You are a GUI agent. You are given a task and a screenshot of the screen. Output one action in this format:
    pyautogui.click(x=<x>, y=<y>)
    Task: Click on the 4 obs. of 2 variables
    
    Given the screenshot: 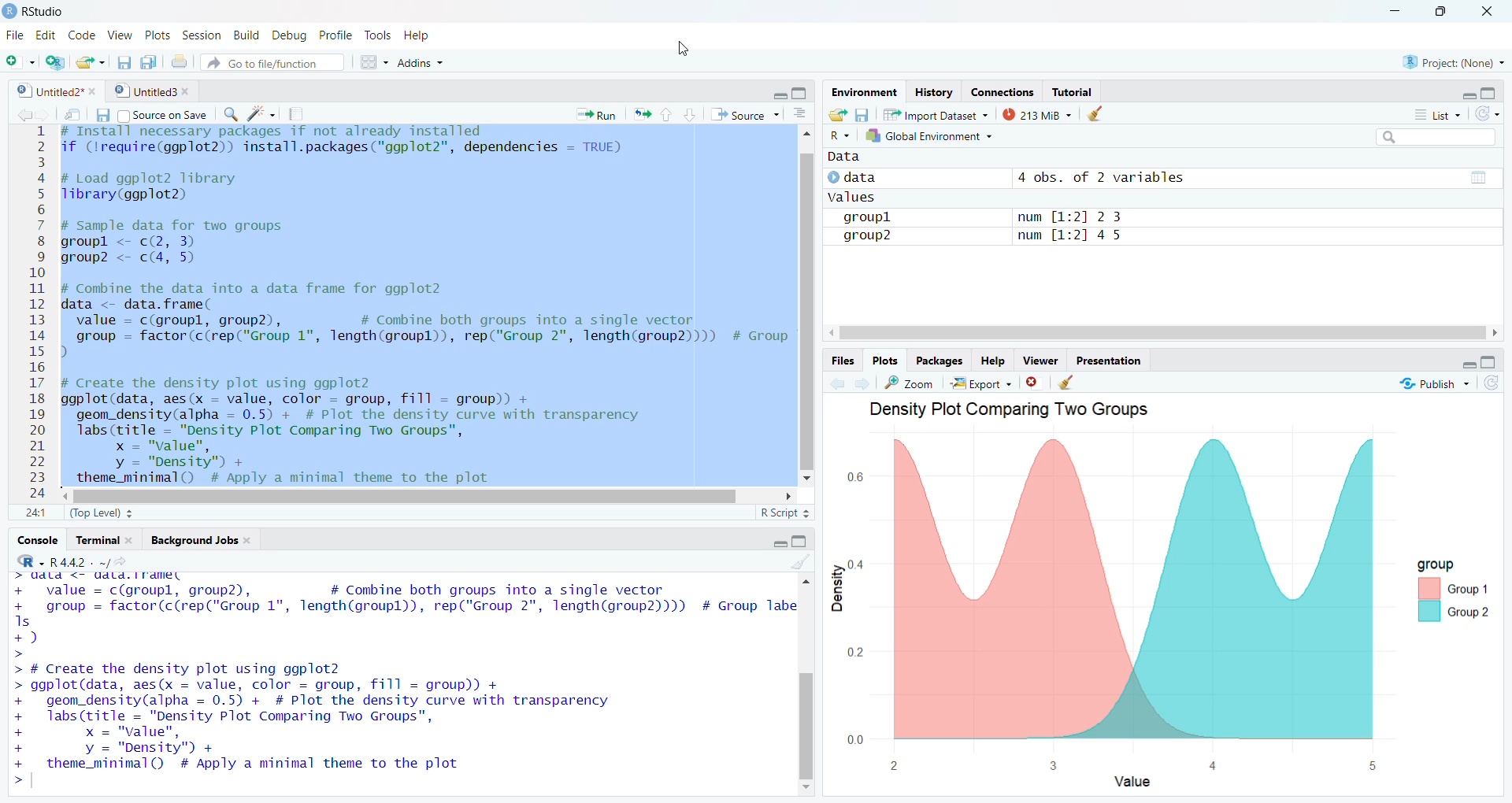 What is the action you would take?
    pyautogui.click(x=1111, y=176)
    